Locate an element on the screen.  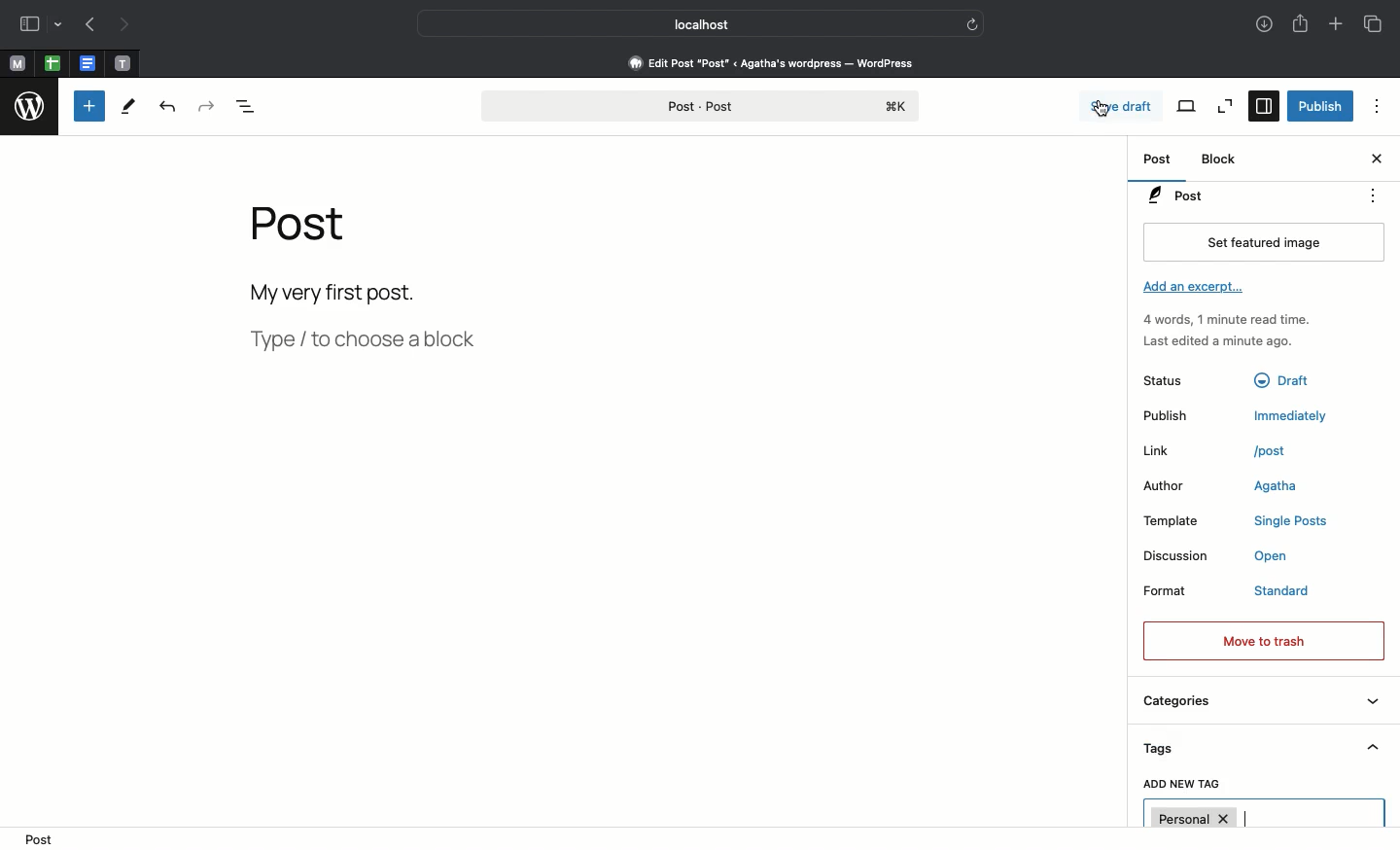
Publish is located at coordinates (1170, 414).